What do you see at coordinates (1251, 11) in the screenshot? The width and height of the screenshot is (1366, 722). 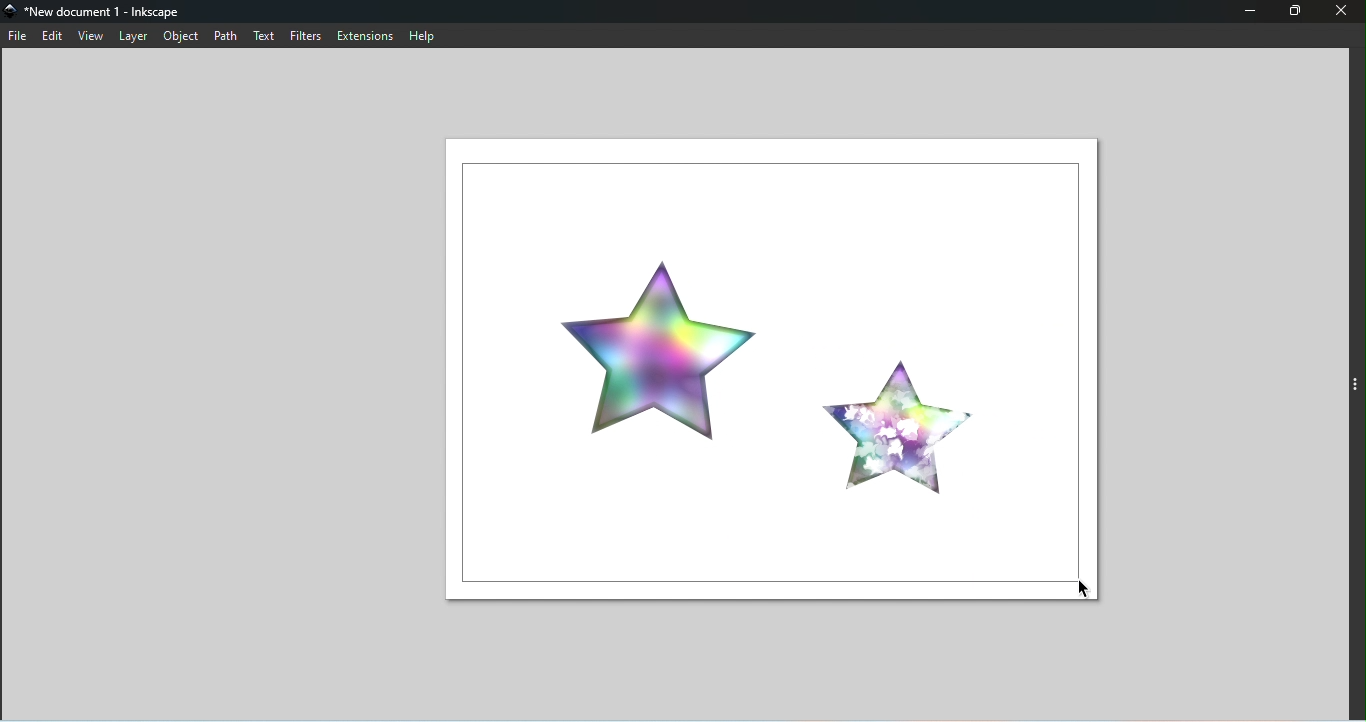 I see `Minimize` at bounding box center [1251, 11].